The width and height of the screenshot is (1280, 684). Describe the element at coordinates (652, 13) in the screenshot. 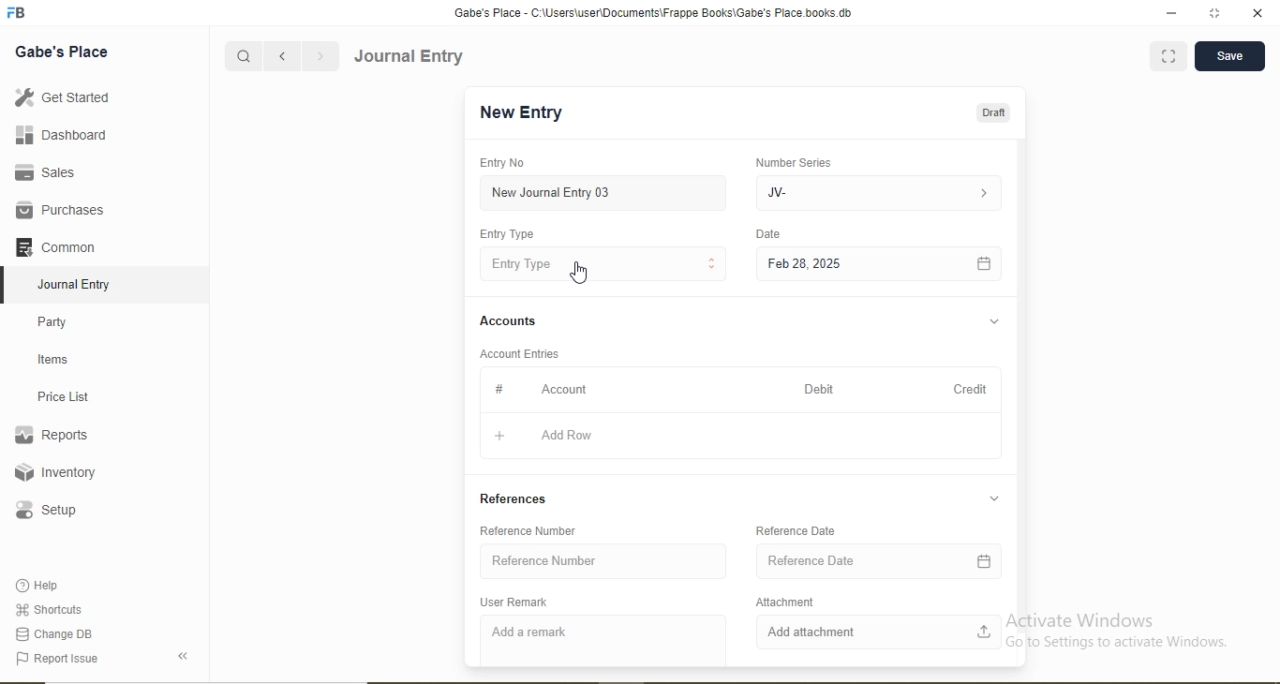

I see `‘Gabe's Place - C:\Users\useriDocuments\Frappe Books\Gabe's Place books db` at that location.